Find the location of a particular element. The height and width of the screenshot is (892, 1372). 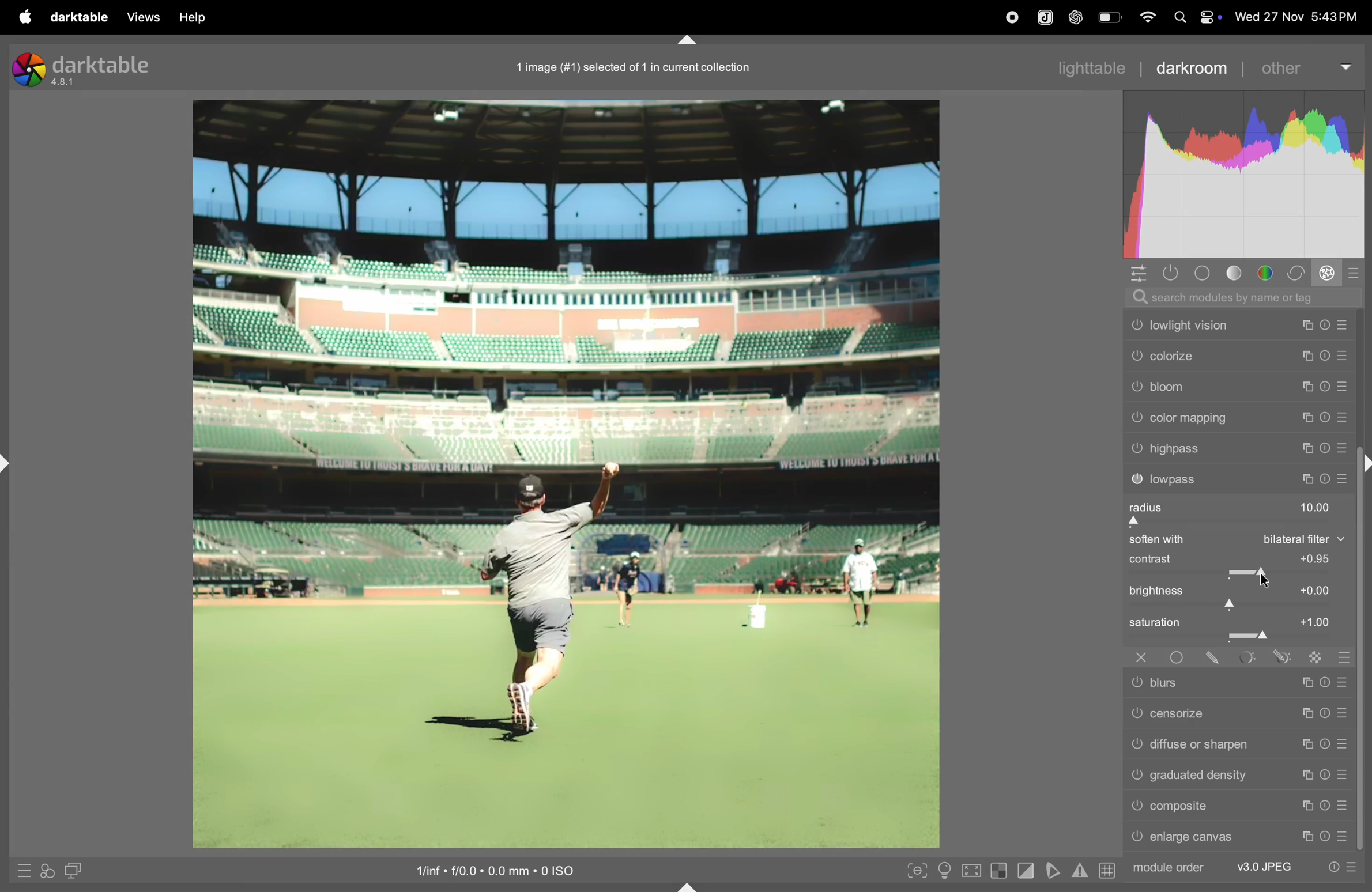

toggle high quality processing is located at coordinates (974, 870).